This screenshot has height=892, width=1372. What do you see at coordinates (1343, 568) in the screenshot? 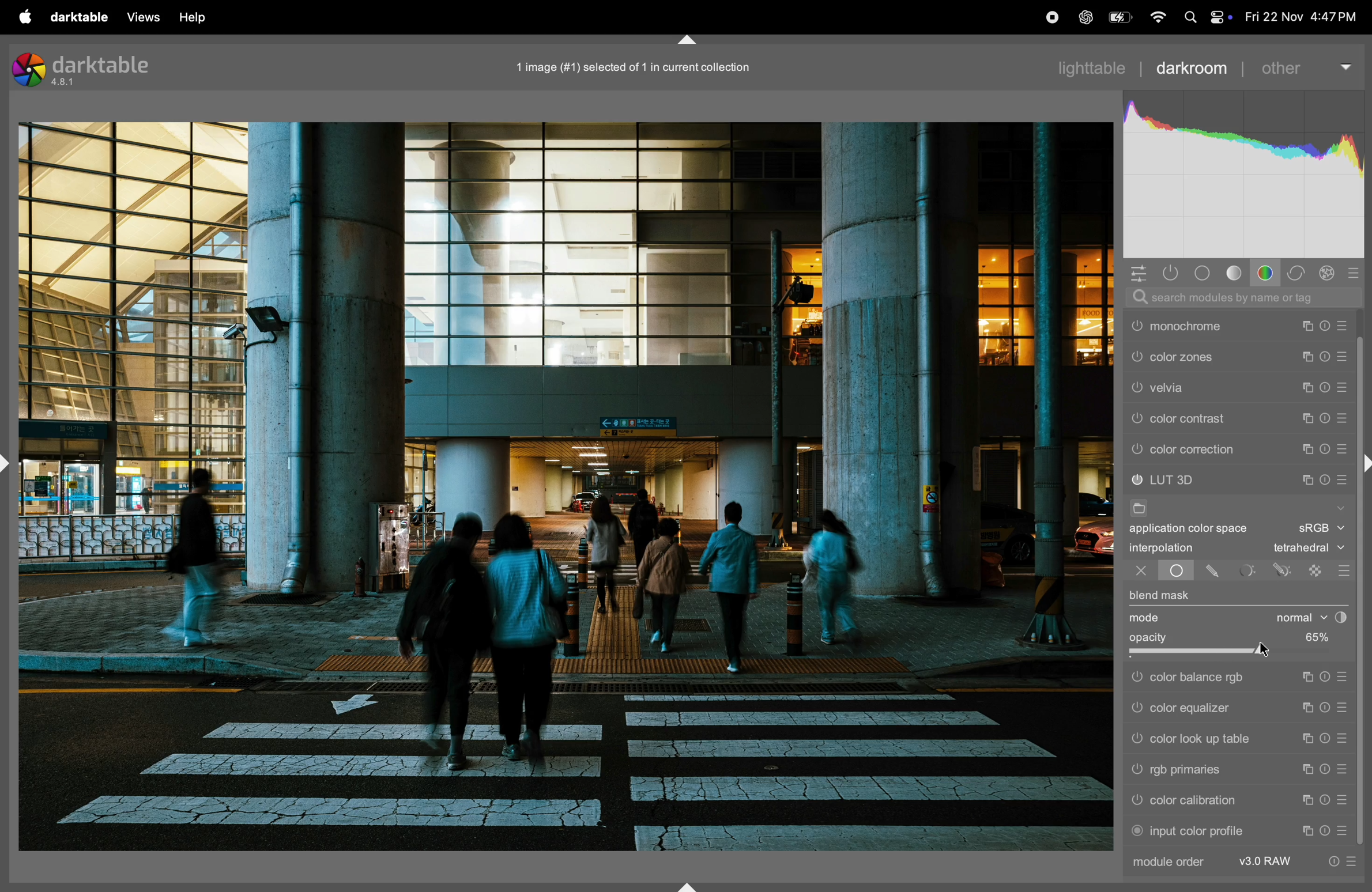
I see `blending options` at bounding box center [1343, 568].